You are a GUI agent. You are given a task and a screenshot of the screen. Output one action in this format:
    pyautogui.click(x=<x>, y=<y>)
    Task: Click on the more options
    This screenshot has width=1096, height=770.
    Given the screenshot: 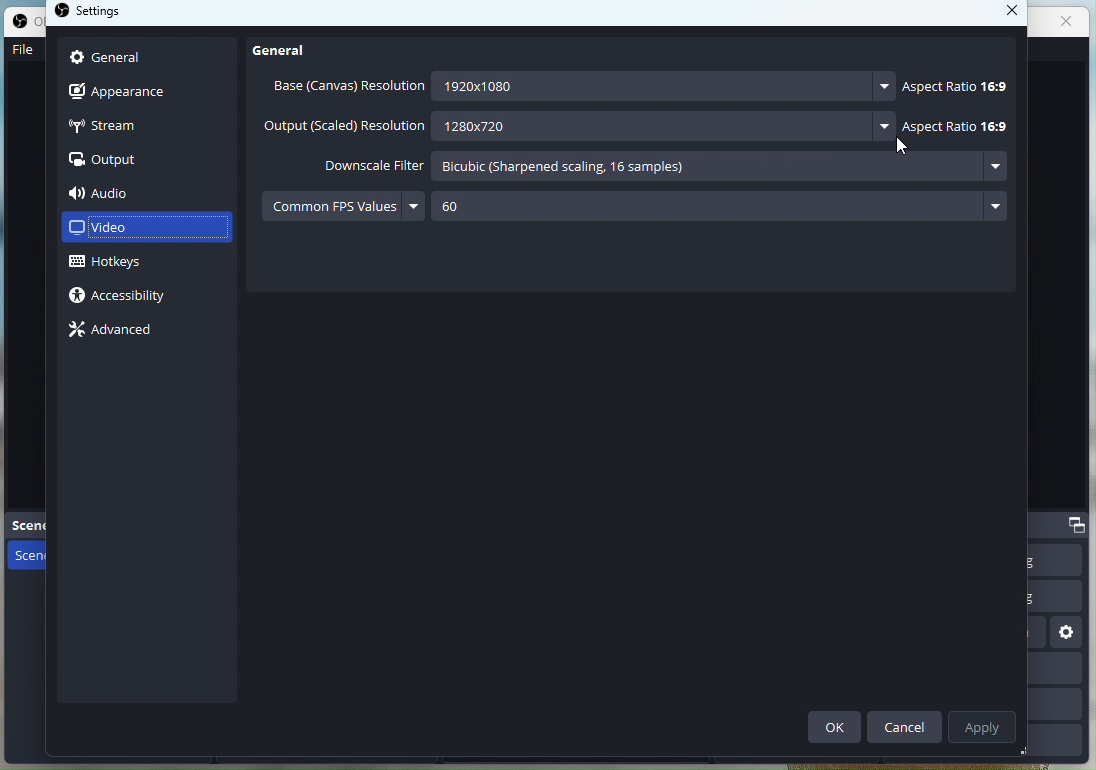 What is the action you would take?
    pyautogui.click(x=884, y=88)
    